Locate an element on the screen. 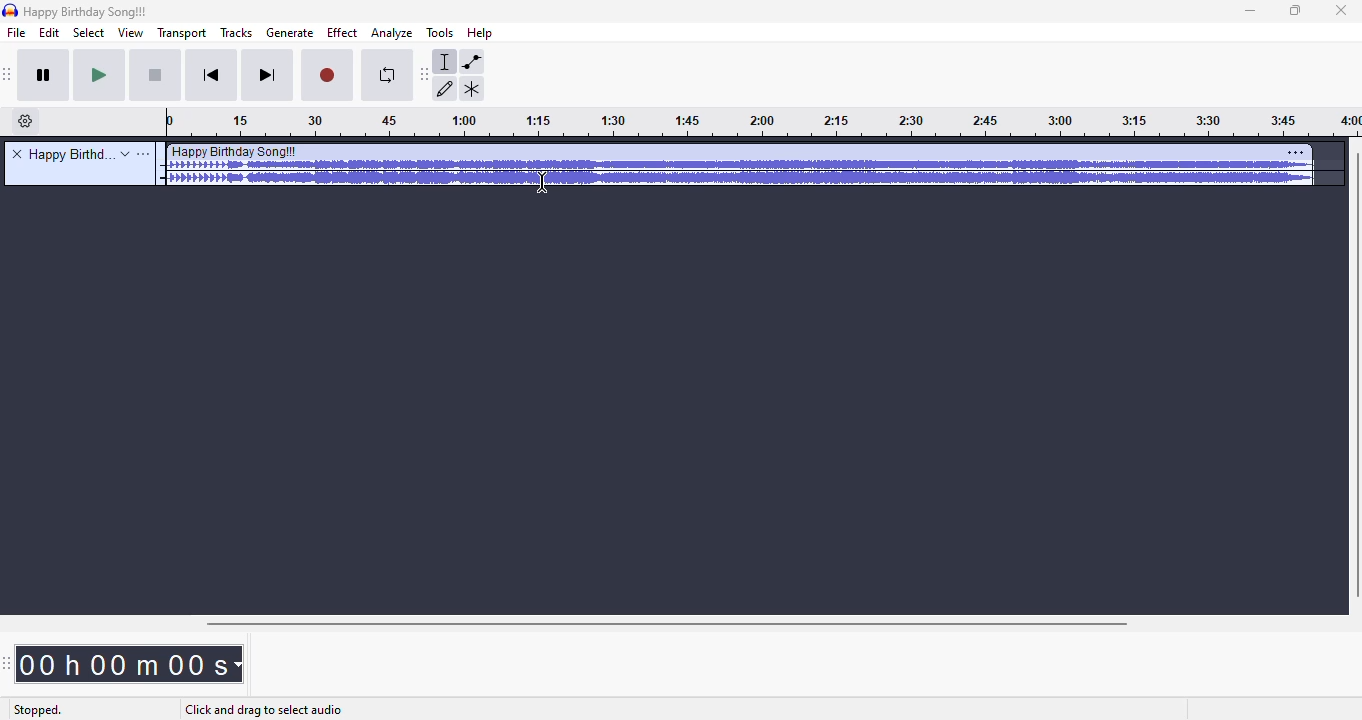 The image size is (1362, 720). maximize is located at coordinates (1296, 11).